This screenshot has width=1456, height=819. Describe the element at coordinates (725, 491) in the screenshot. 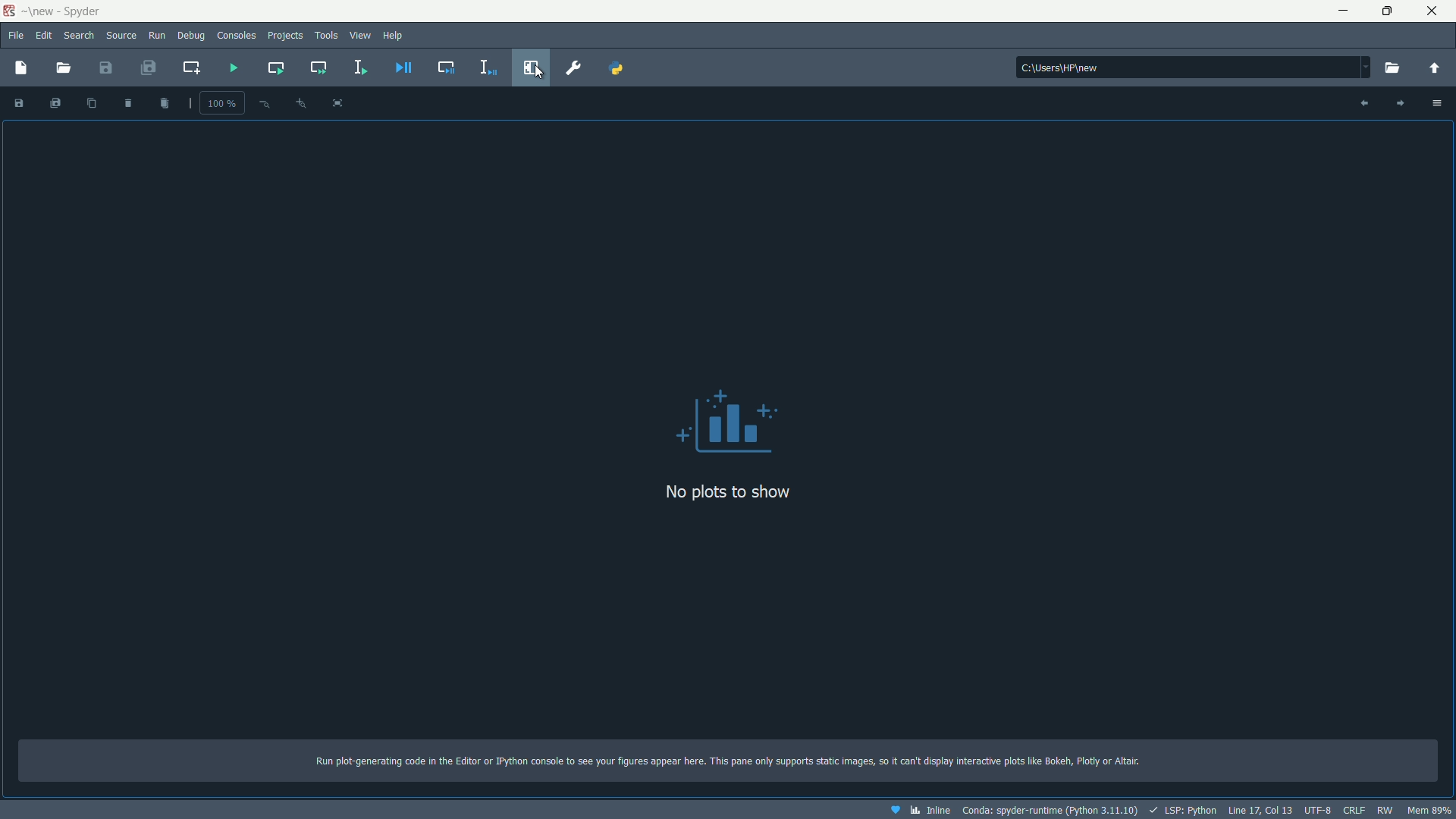

I see `no plots to show` at that location.